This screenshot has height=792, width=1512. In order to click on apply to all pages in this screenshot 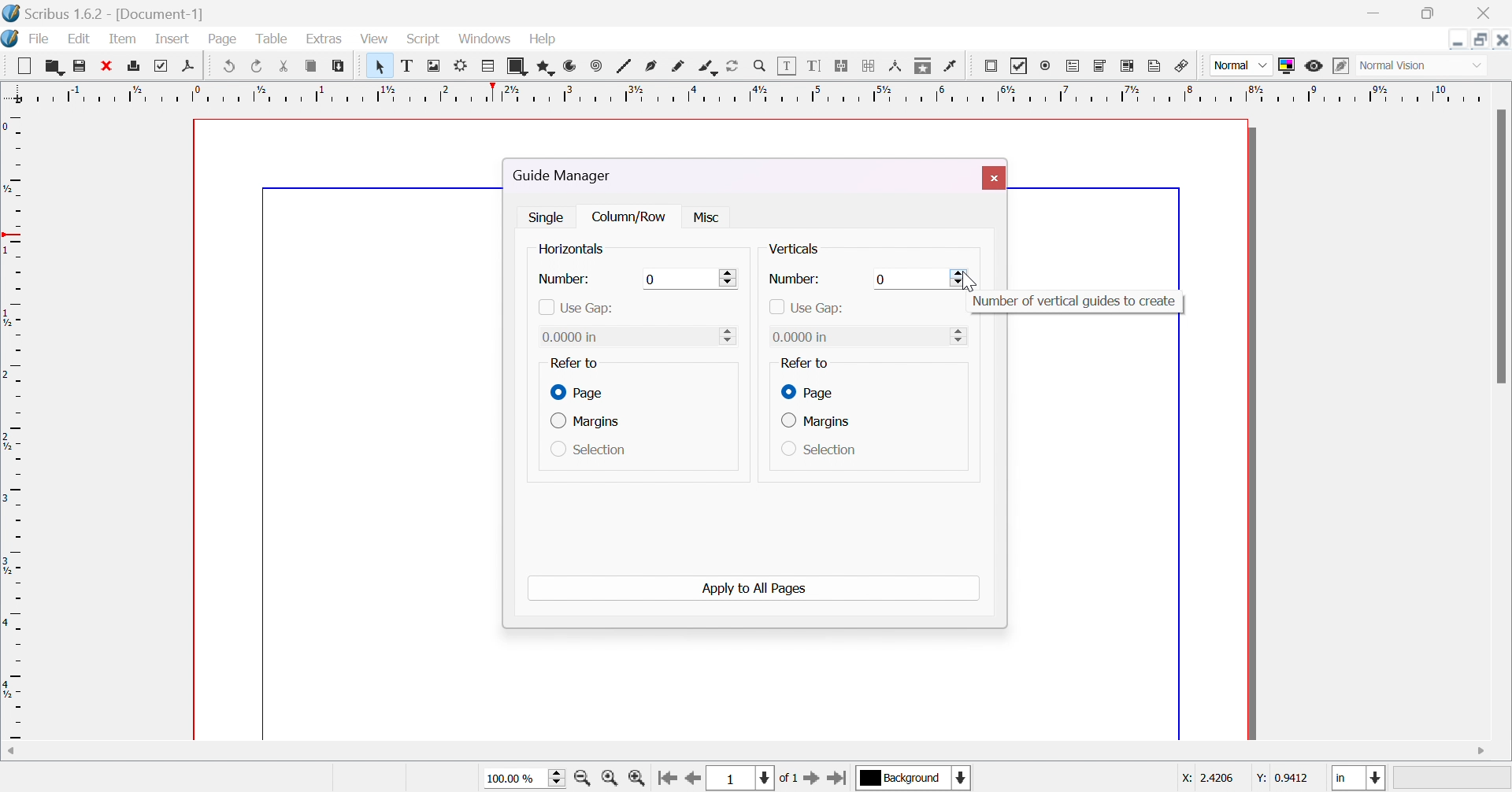, I will do `click(754, 589)`.